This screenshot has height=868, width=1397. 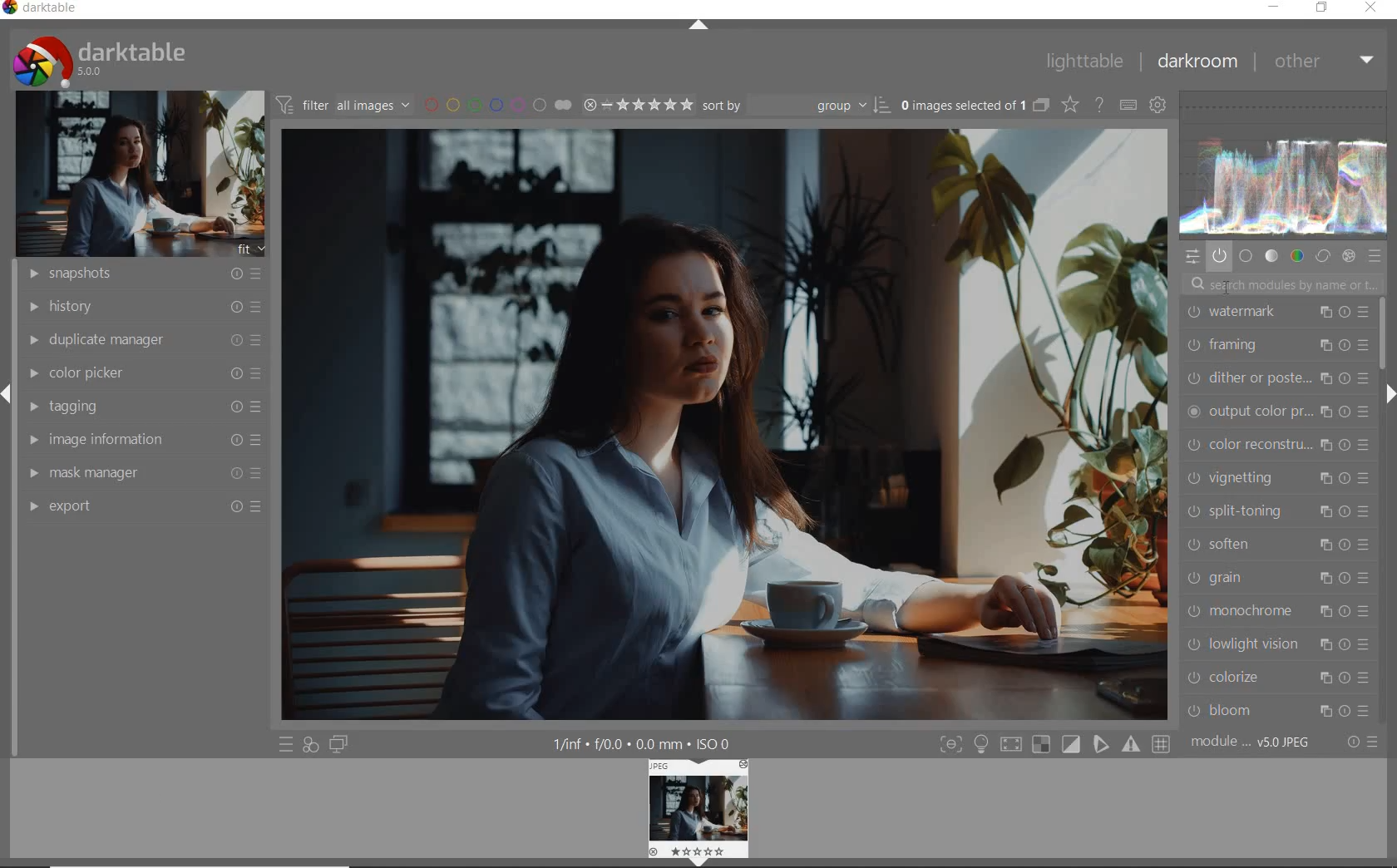 I want to click on scrollbar, so click(x=1387, y=332).